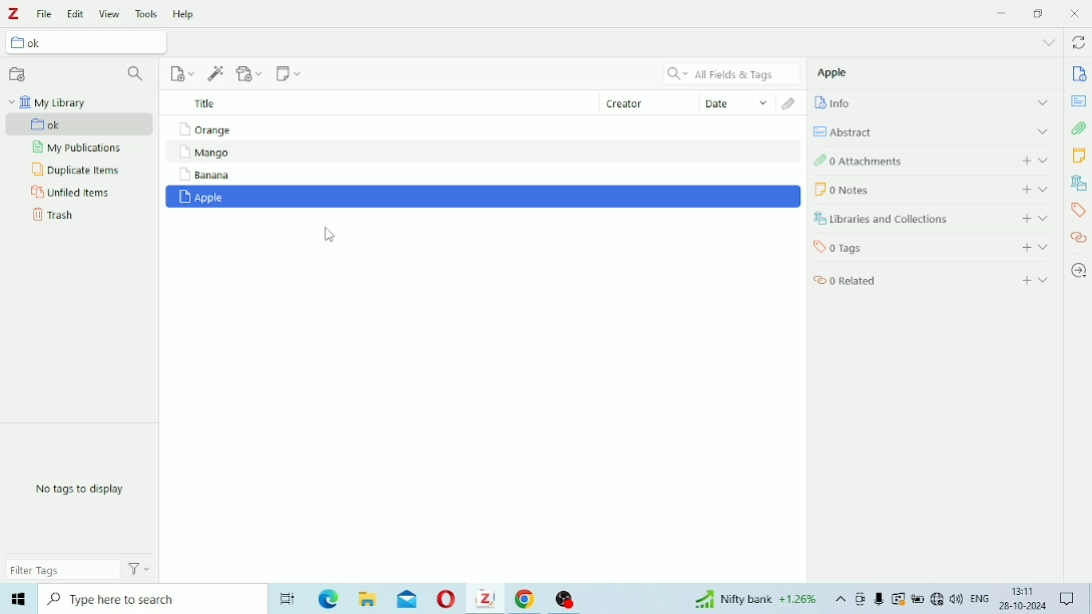 The height and width of the screenshot is (614, 1092). What do you see at coordinates (87, 490) in the screenshot?
I see `No tags to display` at bounding box center [87, 490].